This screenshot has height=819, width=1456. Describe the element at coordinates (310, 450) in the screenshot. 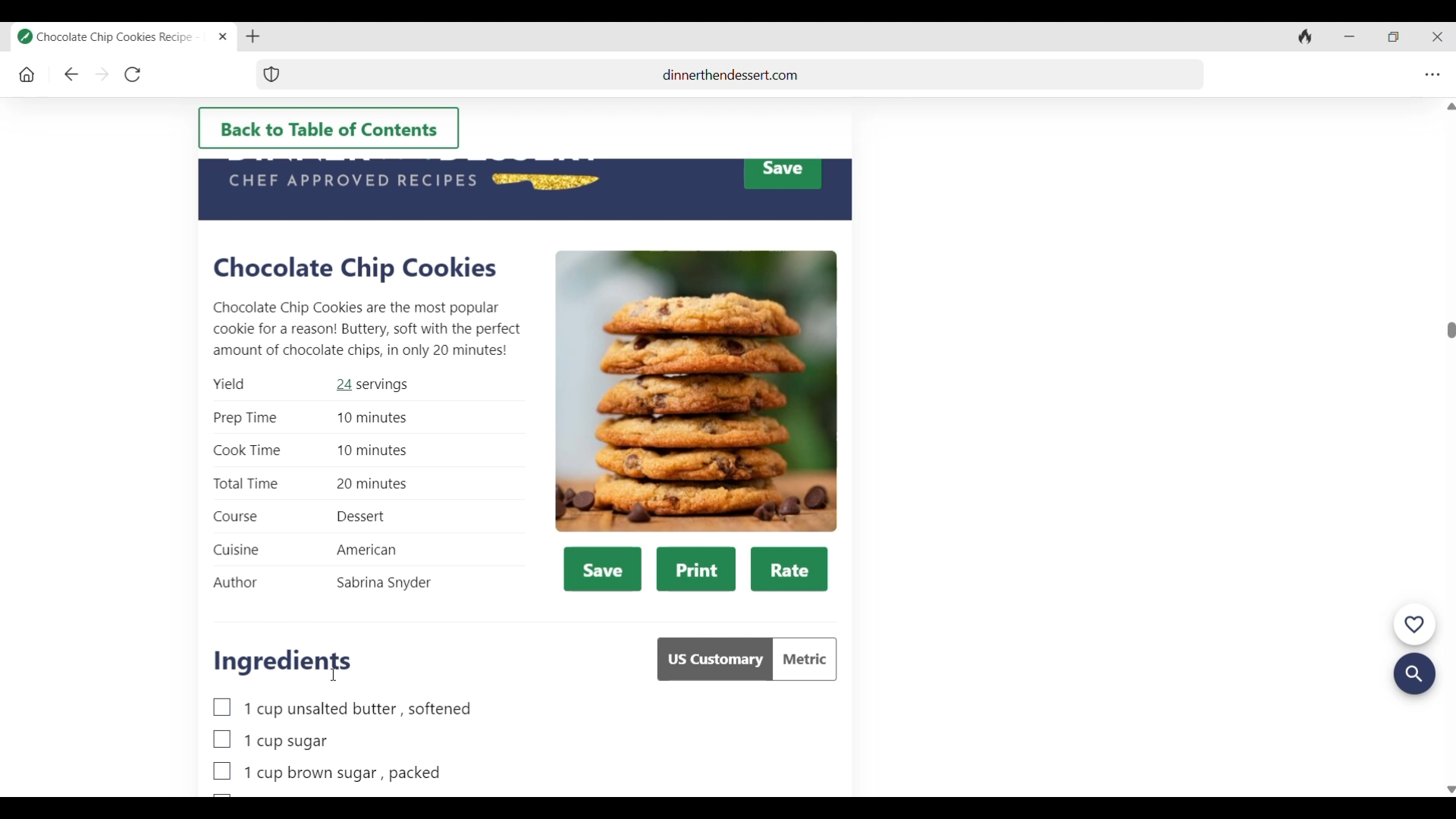

I see `Cook Time 10 minutes` at that location.